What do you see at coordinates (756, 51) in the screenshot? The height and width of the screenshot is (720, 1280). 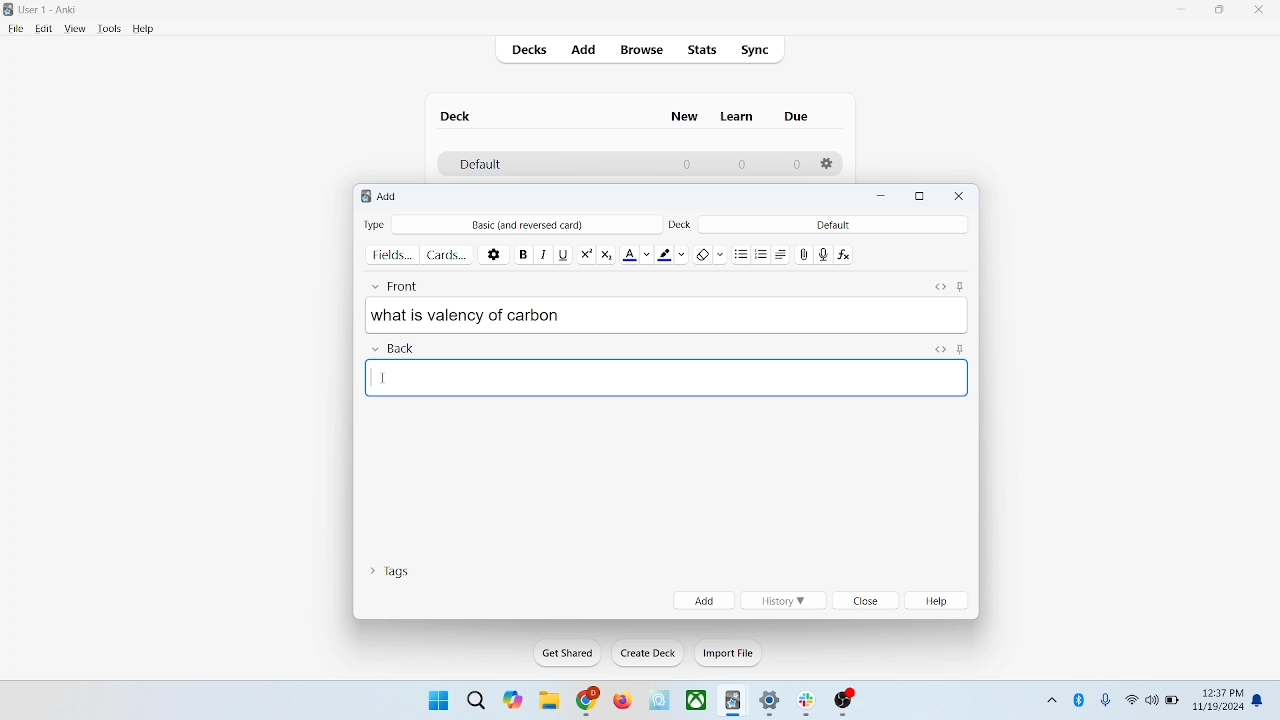 I see `sync` at bounding box center [756, 51].